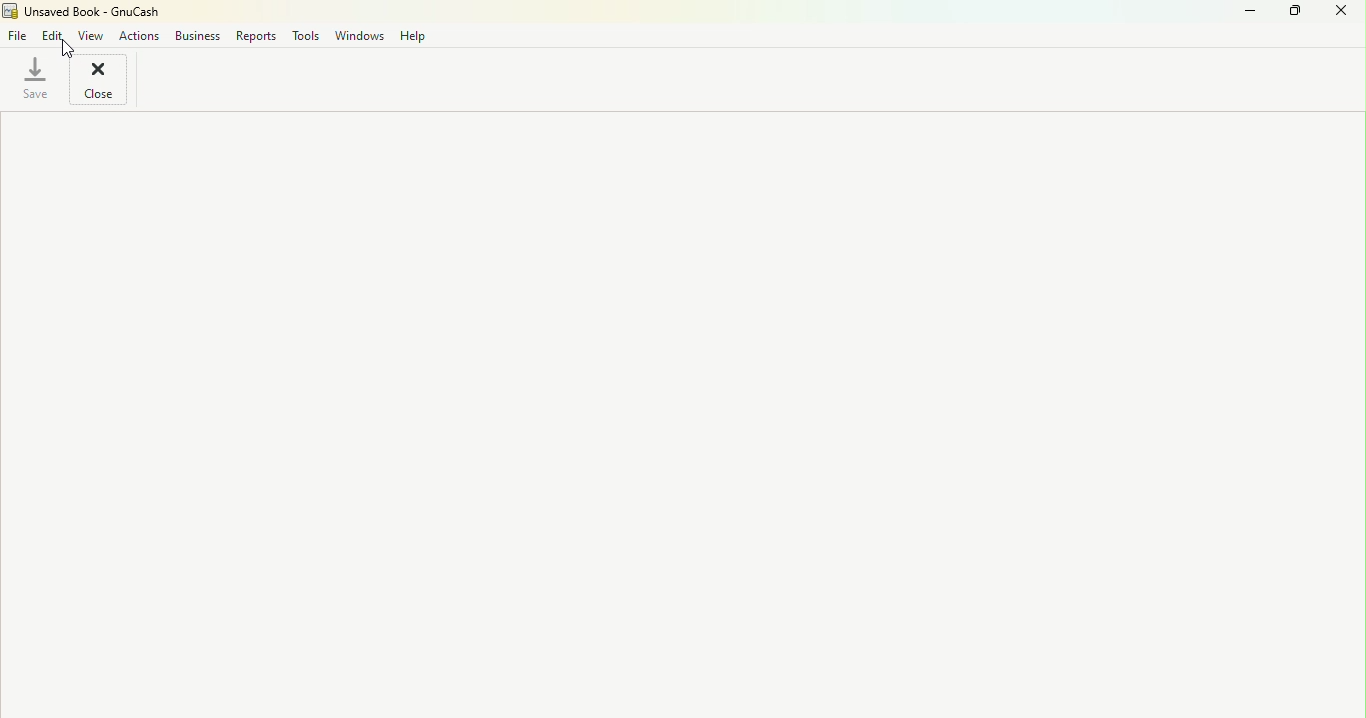  What do you see at coordinates (136, 38) in the screenshot?
I see `Actions` at bounding box center [136, 38].